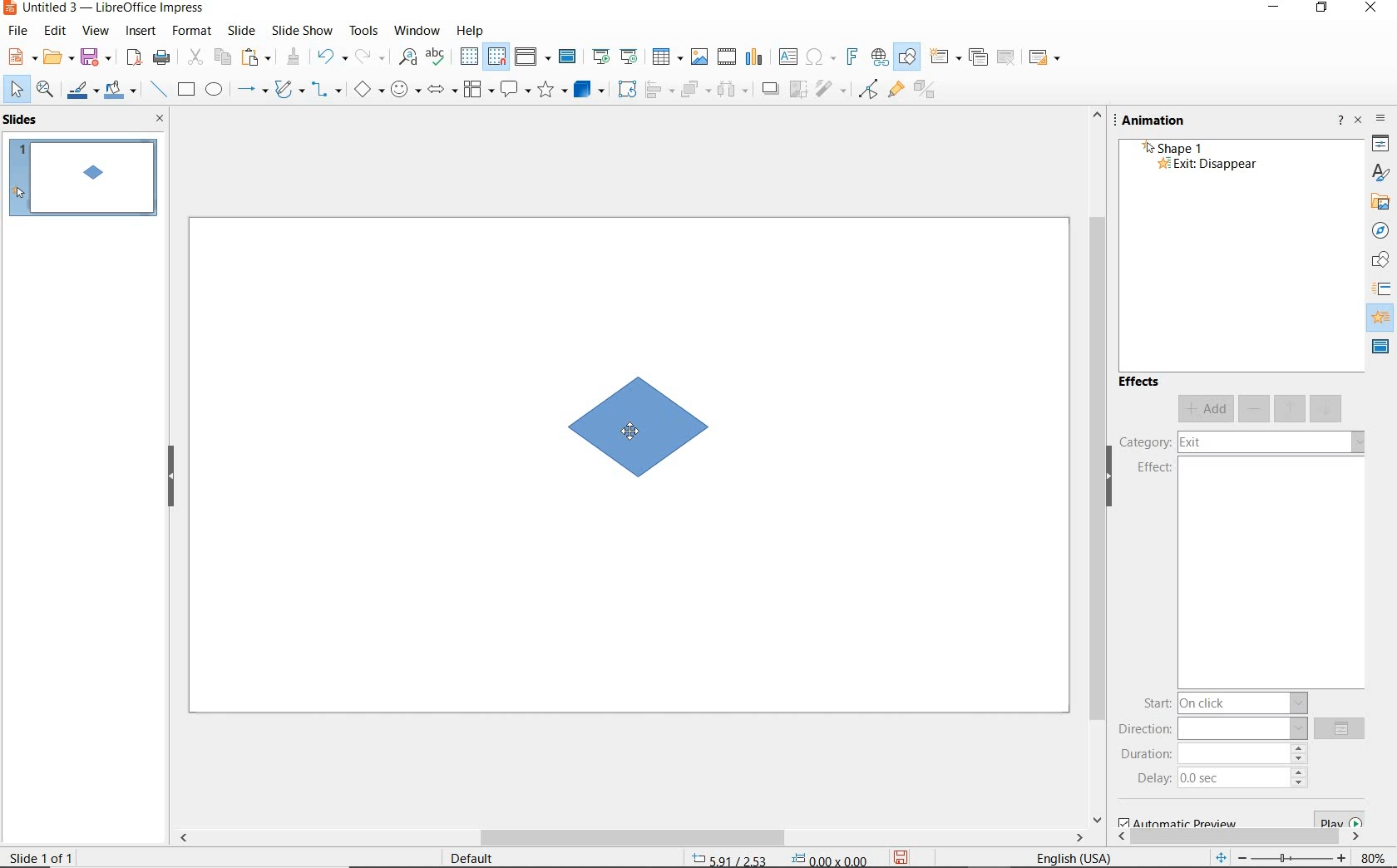  Describe the element at coordinates (630, 431) in the screenshot. I see `cursor` at that location.